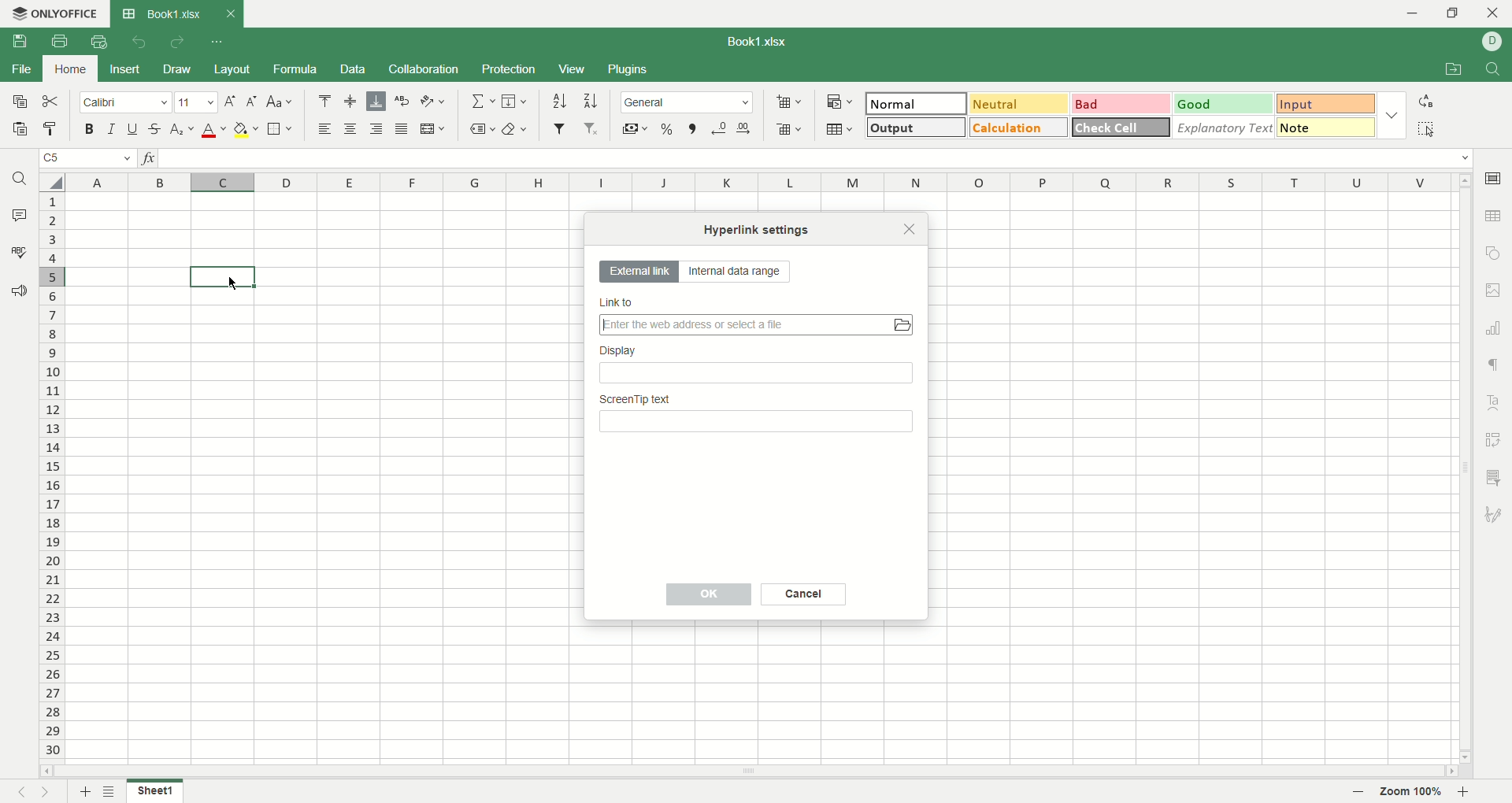 This screenshot has width=1512, height=803. Describe the element at coordinates (159, 794) in the screenshot. I see `sheet1` at that location.